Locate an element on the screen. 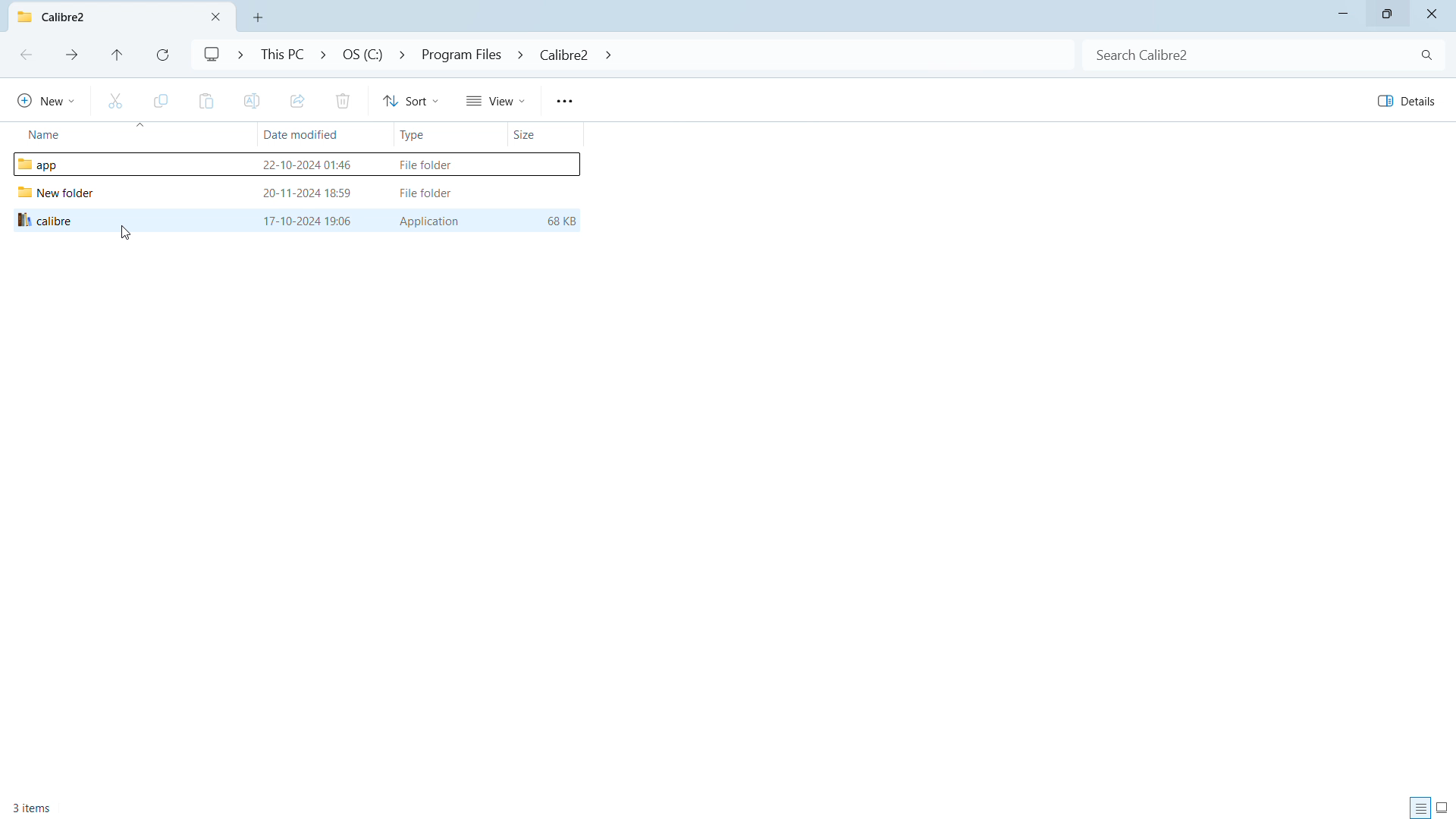 The height and width of the screenshot is (819, 1456). sort by size is located at coordinates (545, 133).